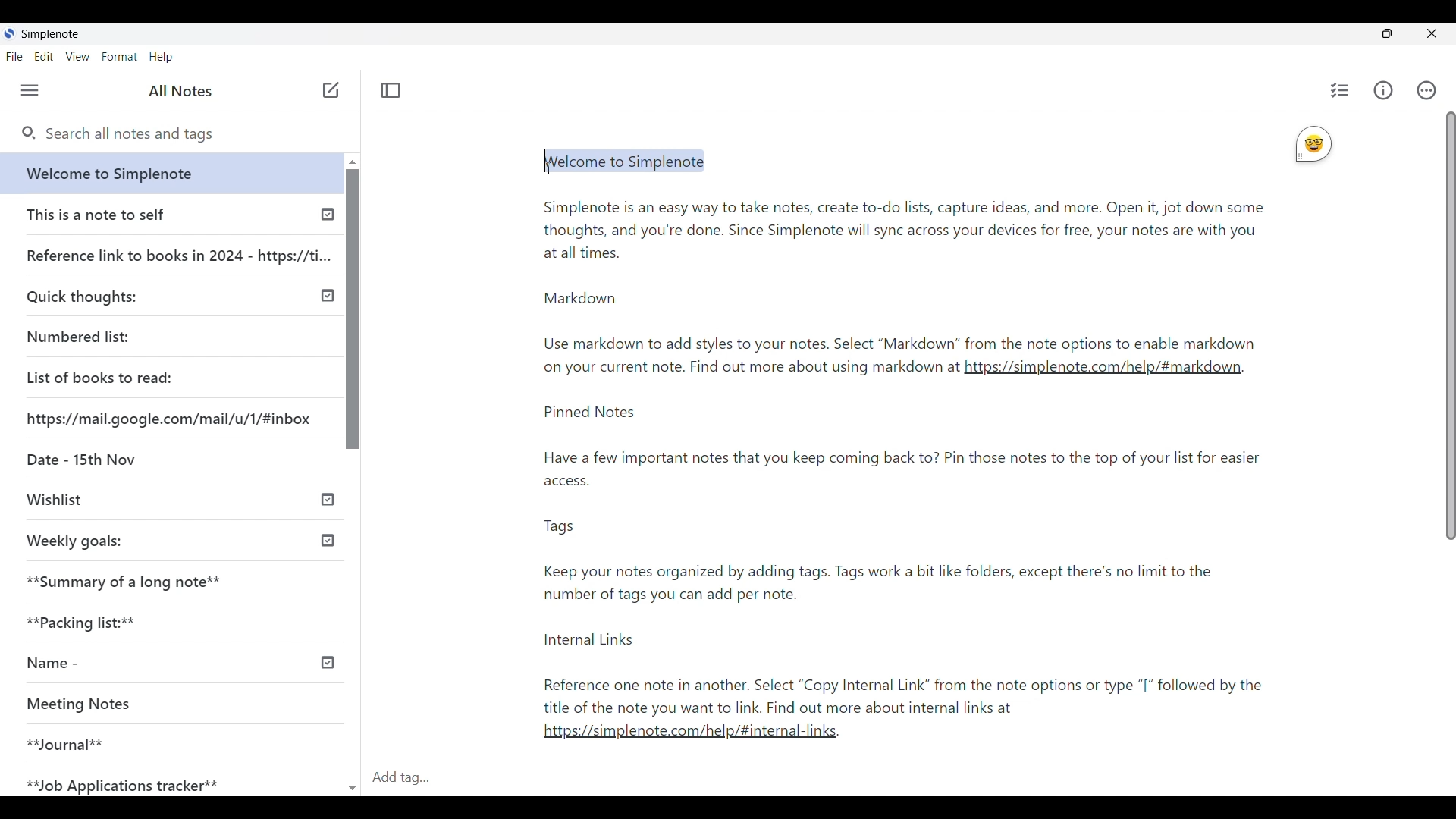 The height and width of the screenshot is (819, 1456). I want to click on Format menu, so click(119, 57).